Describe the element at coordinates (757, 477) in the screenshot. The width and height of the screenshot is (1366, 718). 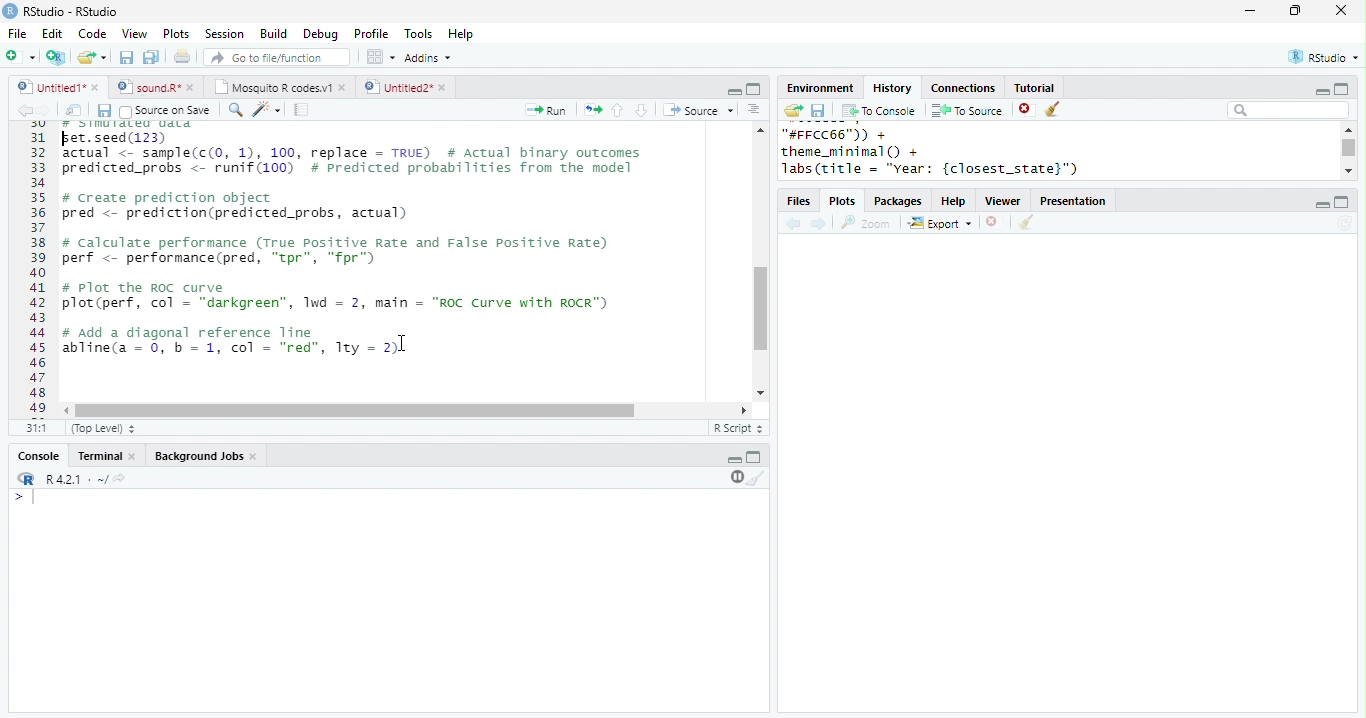
I see `clear` at that location.